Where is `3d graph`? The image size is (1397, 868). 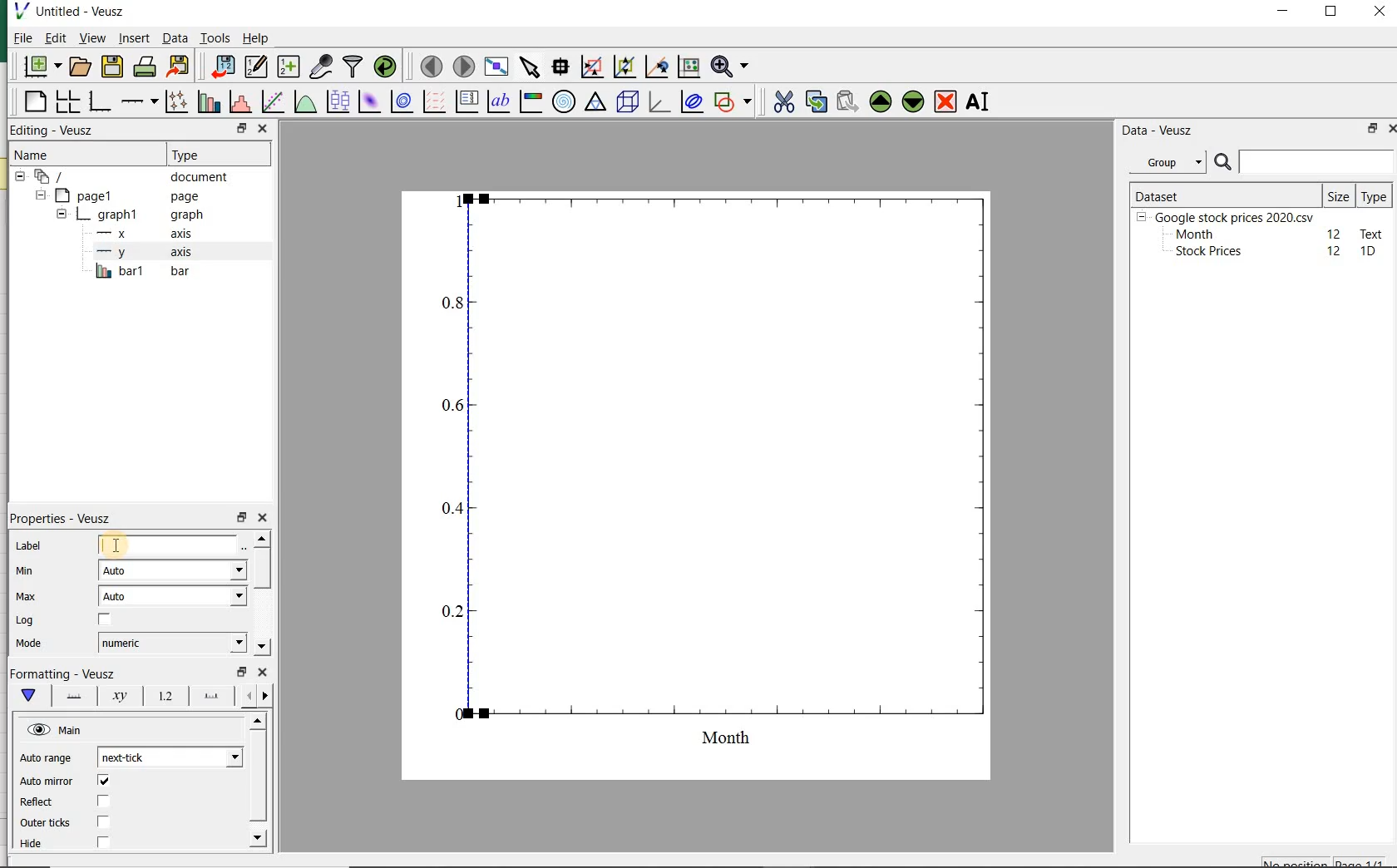
3d graph is located at coordinates (659, 103).